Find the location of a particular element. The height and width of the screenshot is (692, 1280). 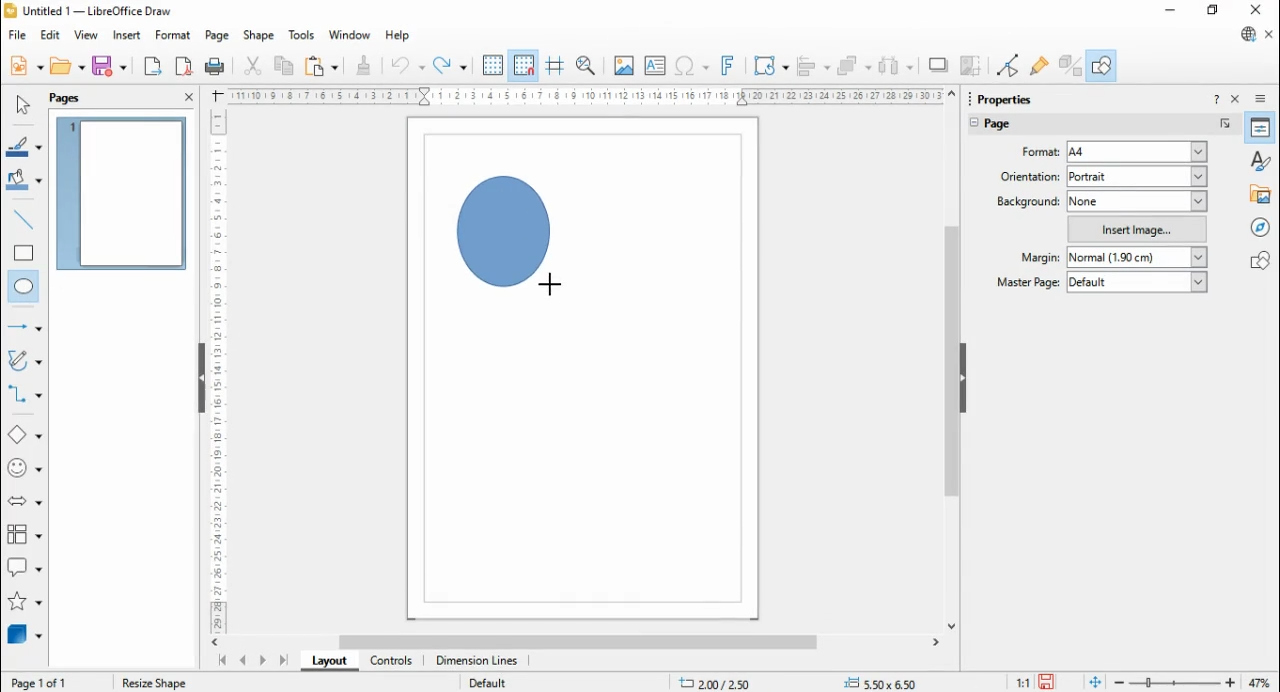

none is located at coordinates (1137, 201).